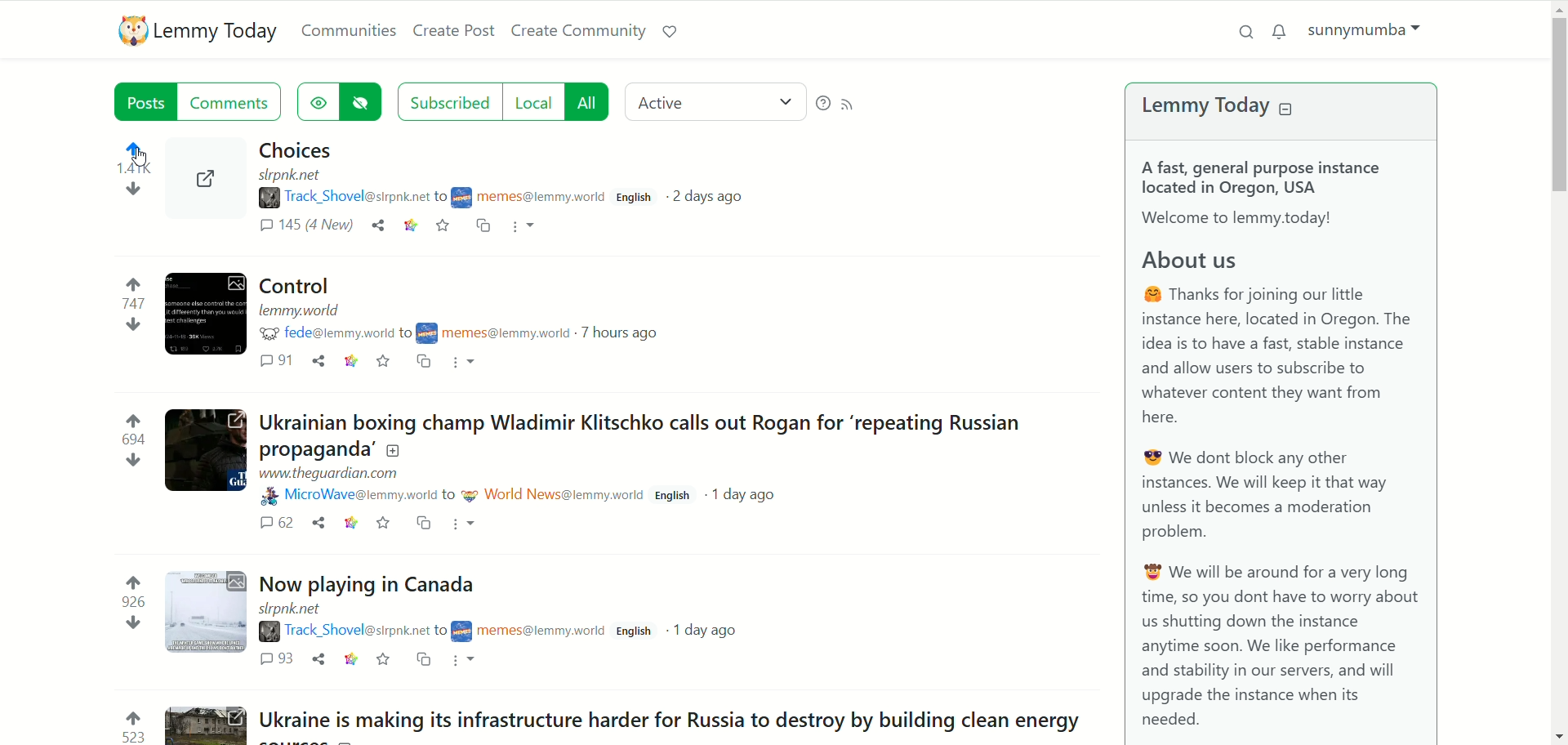 This screenshot has height=745, width=1568. What do you see at coordinates (129, 191) in the screenshot?
I see `down vote` at bounding box center [129, 191].